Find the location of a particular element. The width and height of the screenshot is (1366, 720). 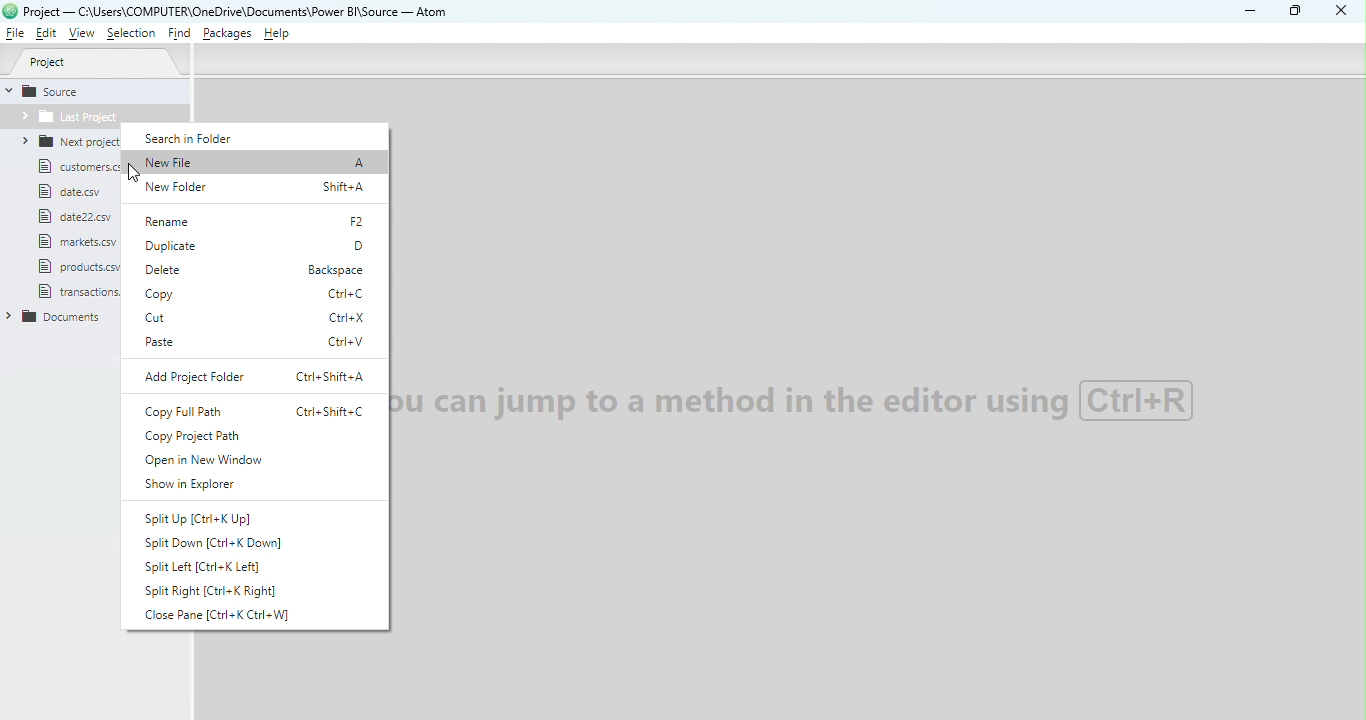

Open new window is located at coordinates (222, 460).